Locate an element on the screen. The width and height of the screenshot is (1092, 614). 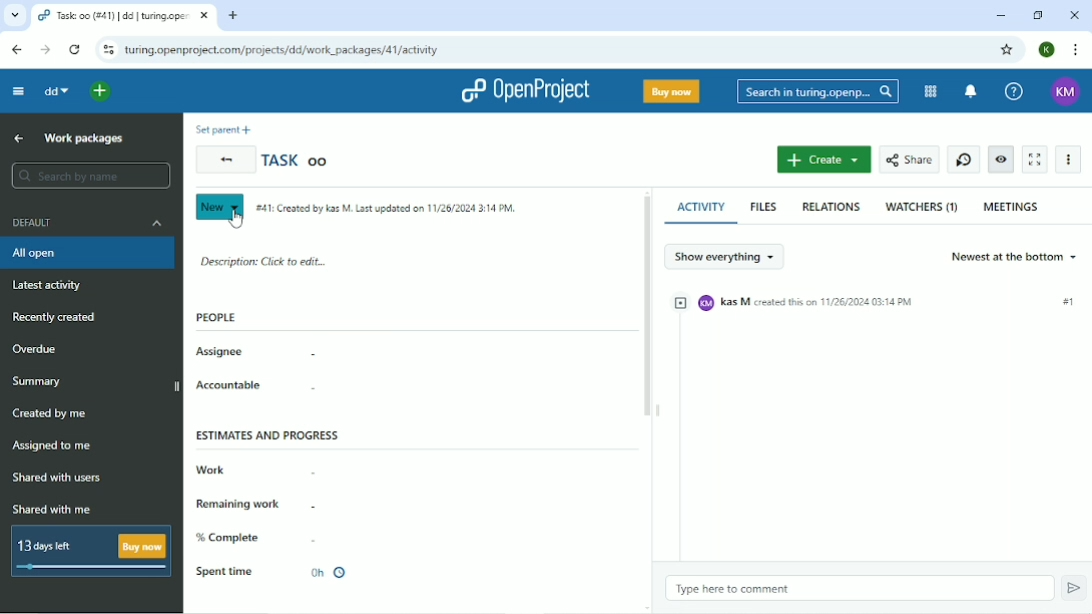
13 days left Buy now is located at coordinates (90, 551).